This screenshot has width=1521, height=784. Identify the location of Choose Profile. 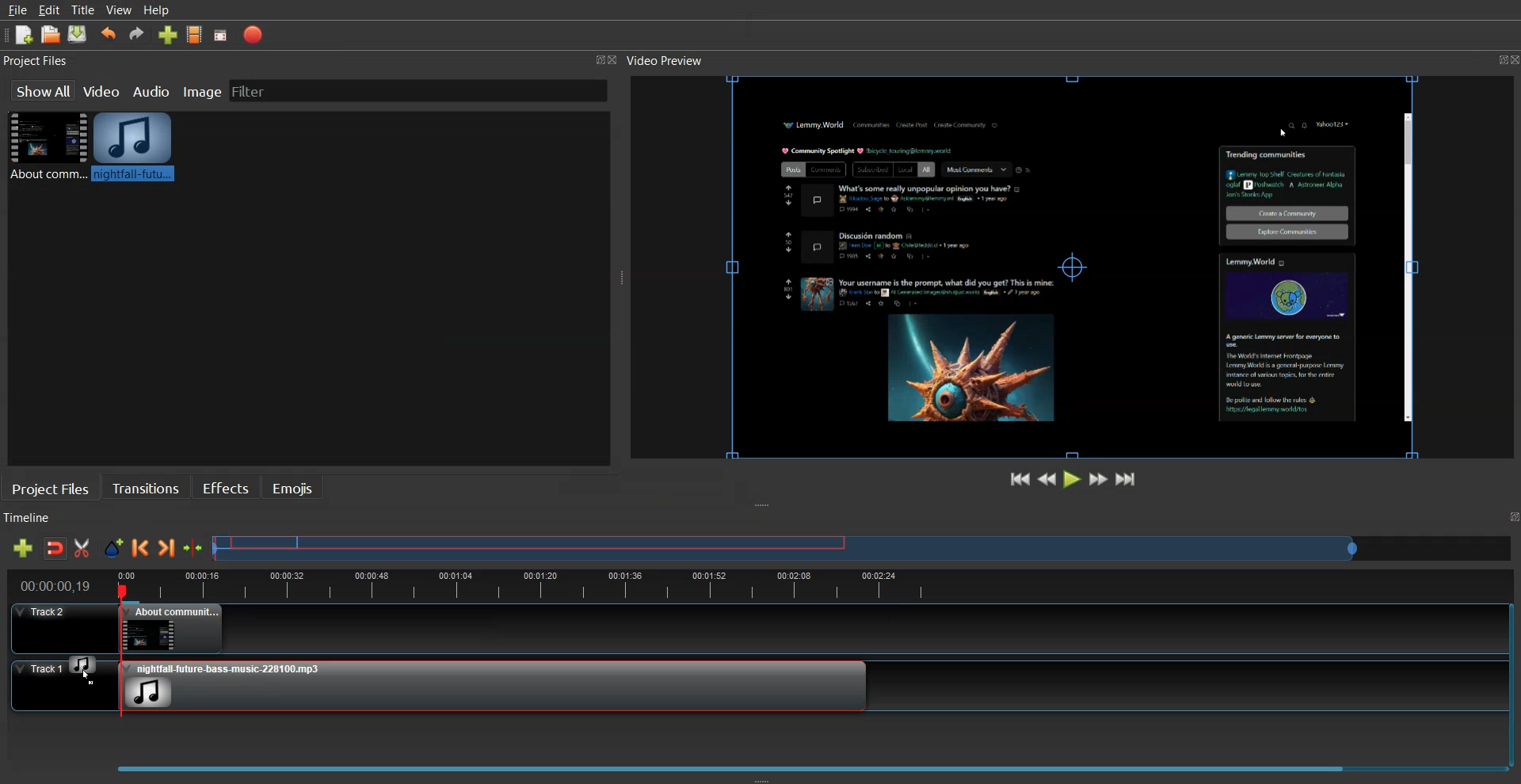
(195, 34).